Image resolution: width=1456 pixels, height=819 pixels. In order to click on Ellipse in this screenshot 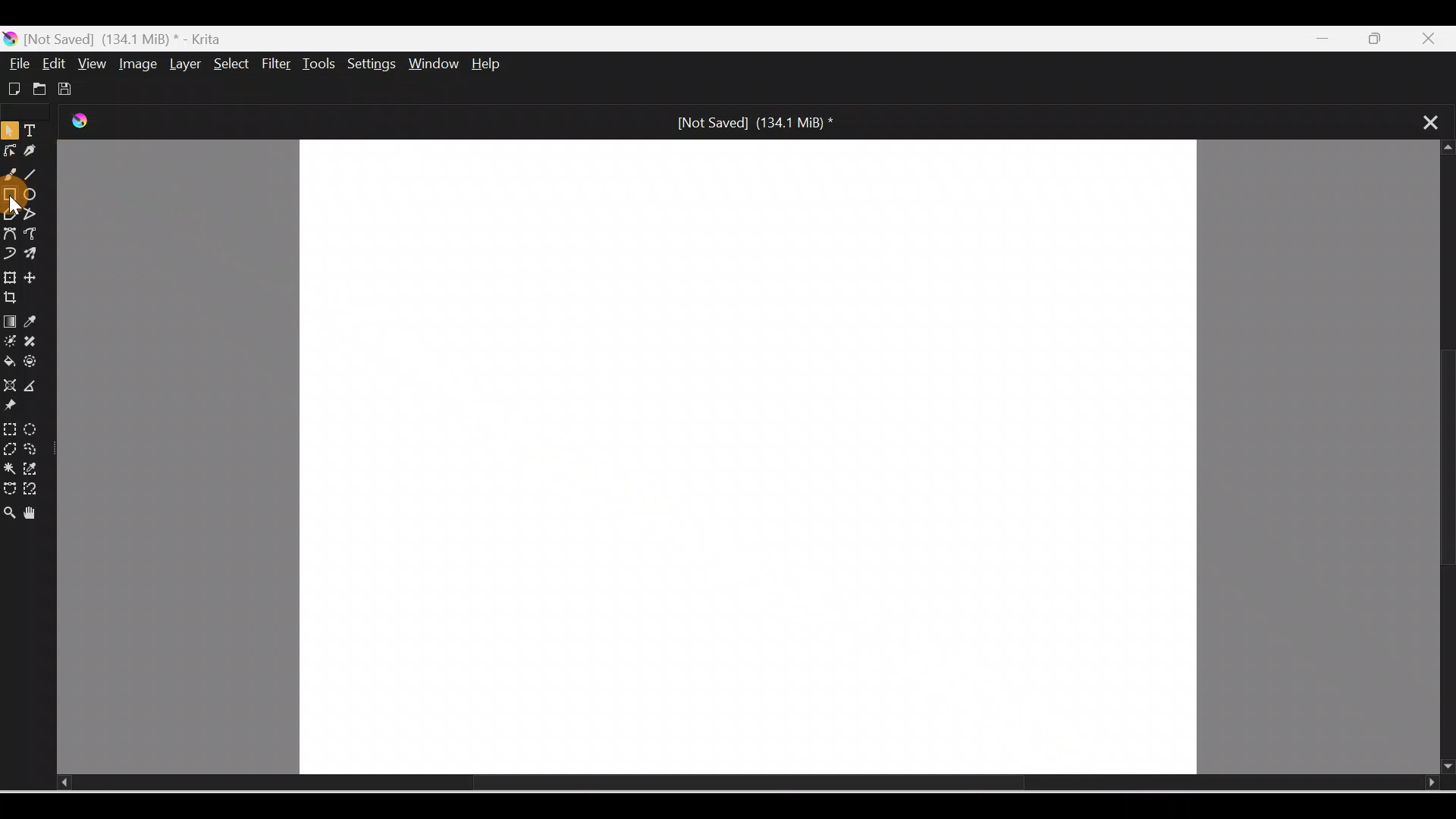, I will do `click(35, 196)`.